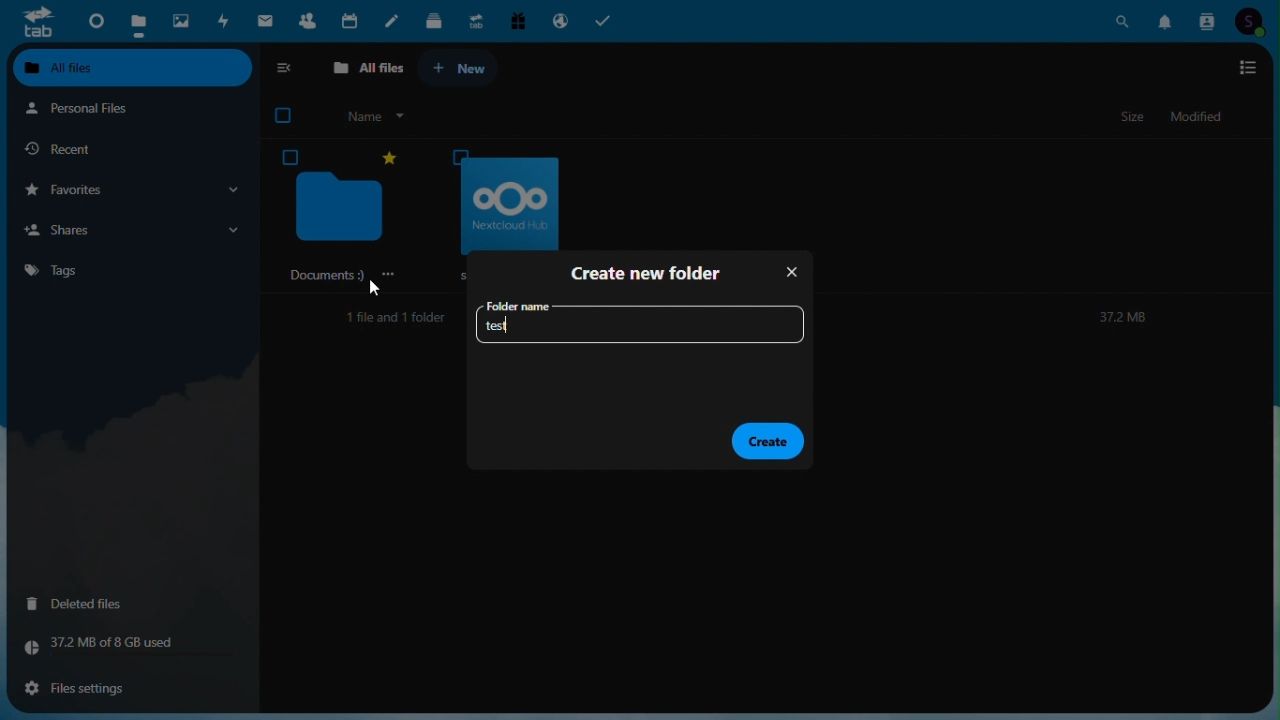  What do you see at coordinates (1135, 118) in the screenshot?
I see `Size` at bounding box center [1135, 118].